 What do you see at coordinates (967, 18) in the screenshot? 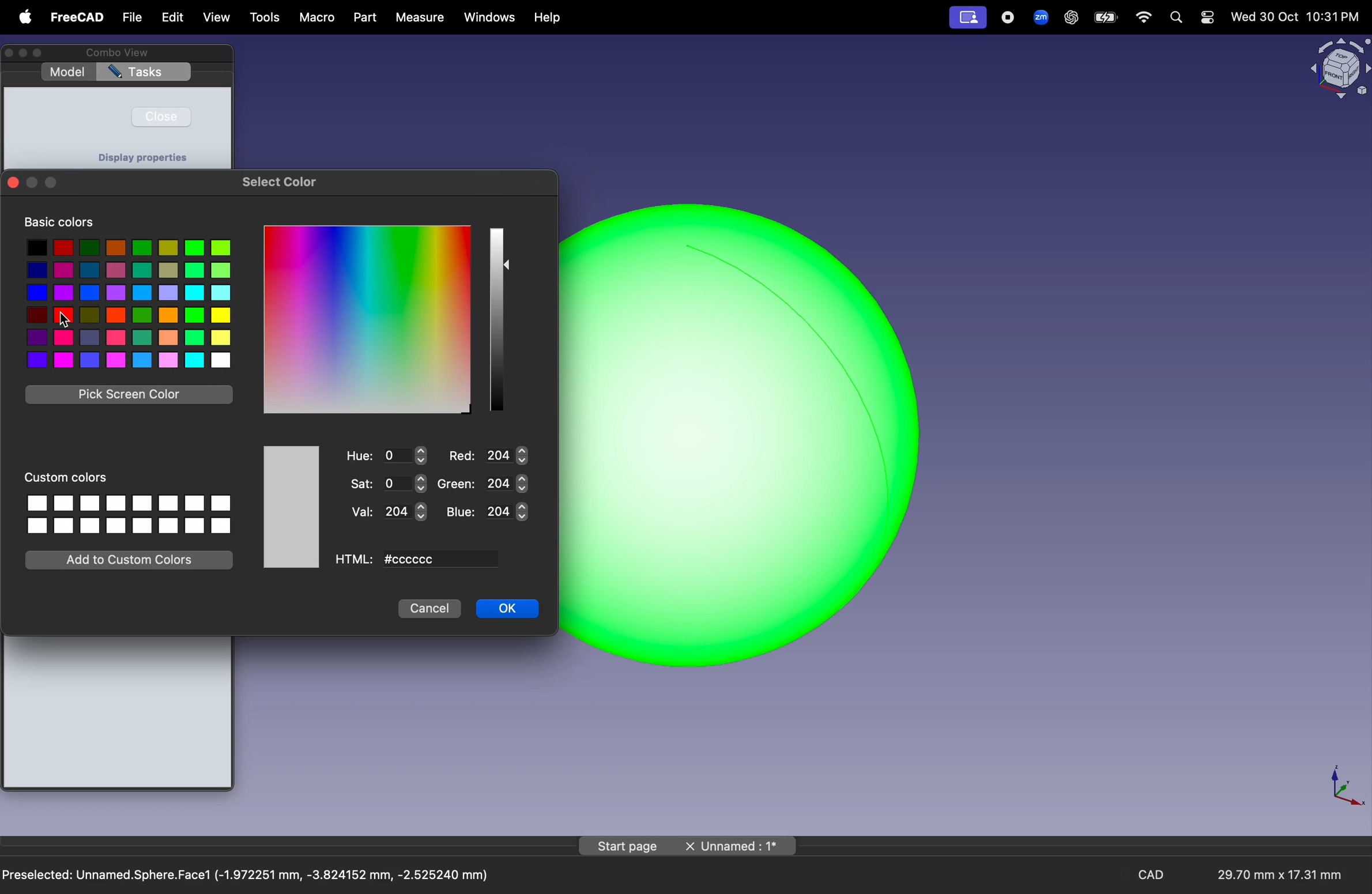
I see `profile ` at bounding box center [967, 18].